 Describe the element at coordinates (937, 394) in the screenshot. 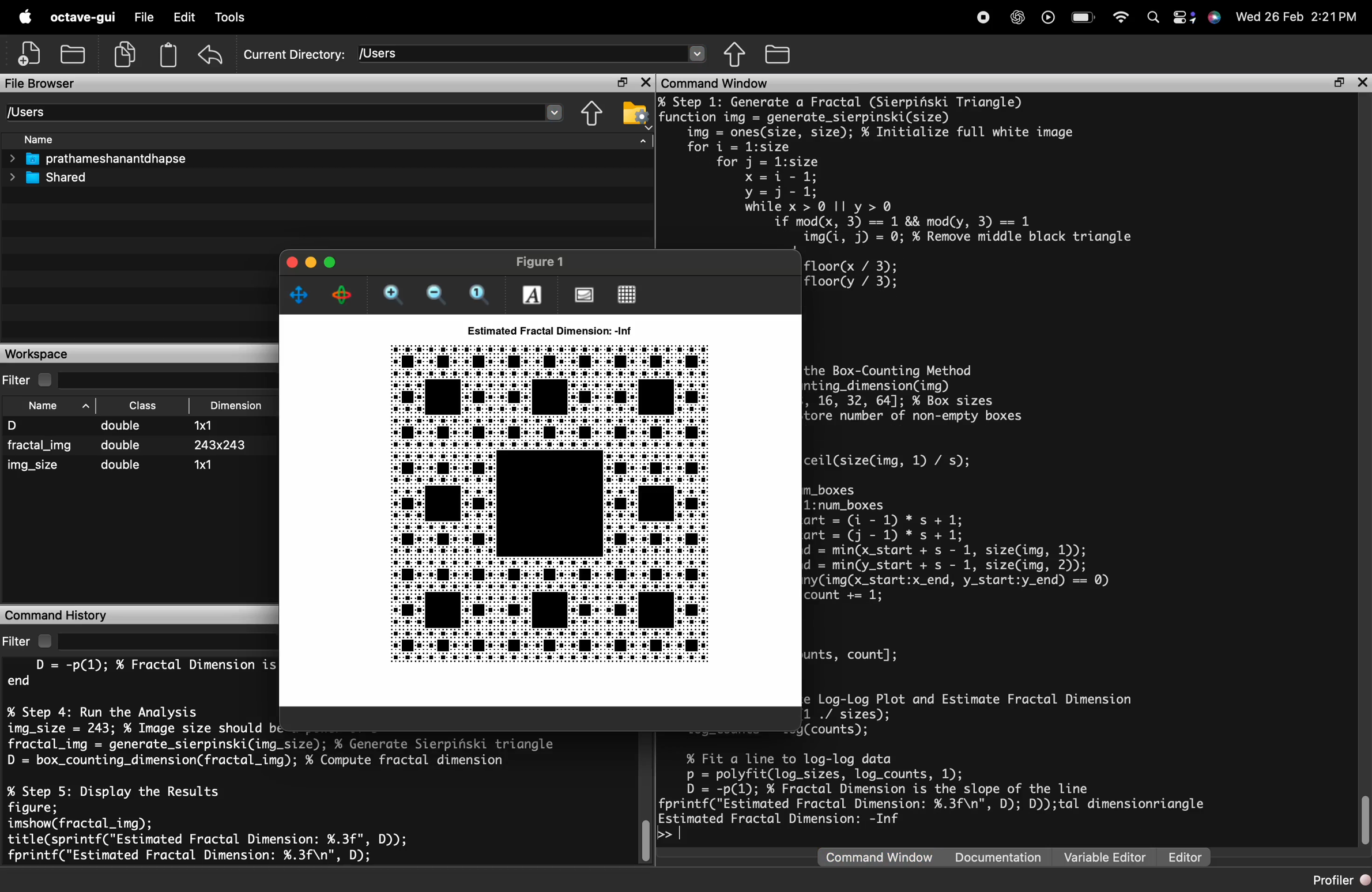

I see `code to box-counting methpd` at that location.